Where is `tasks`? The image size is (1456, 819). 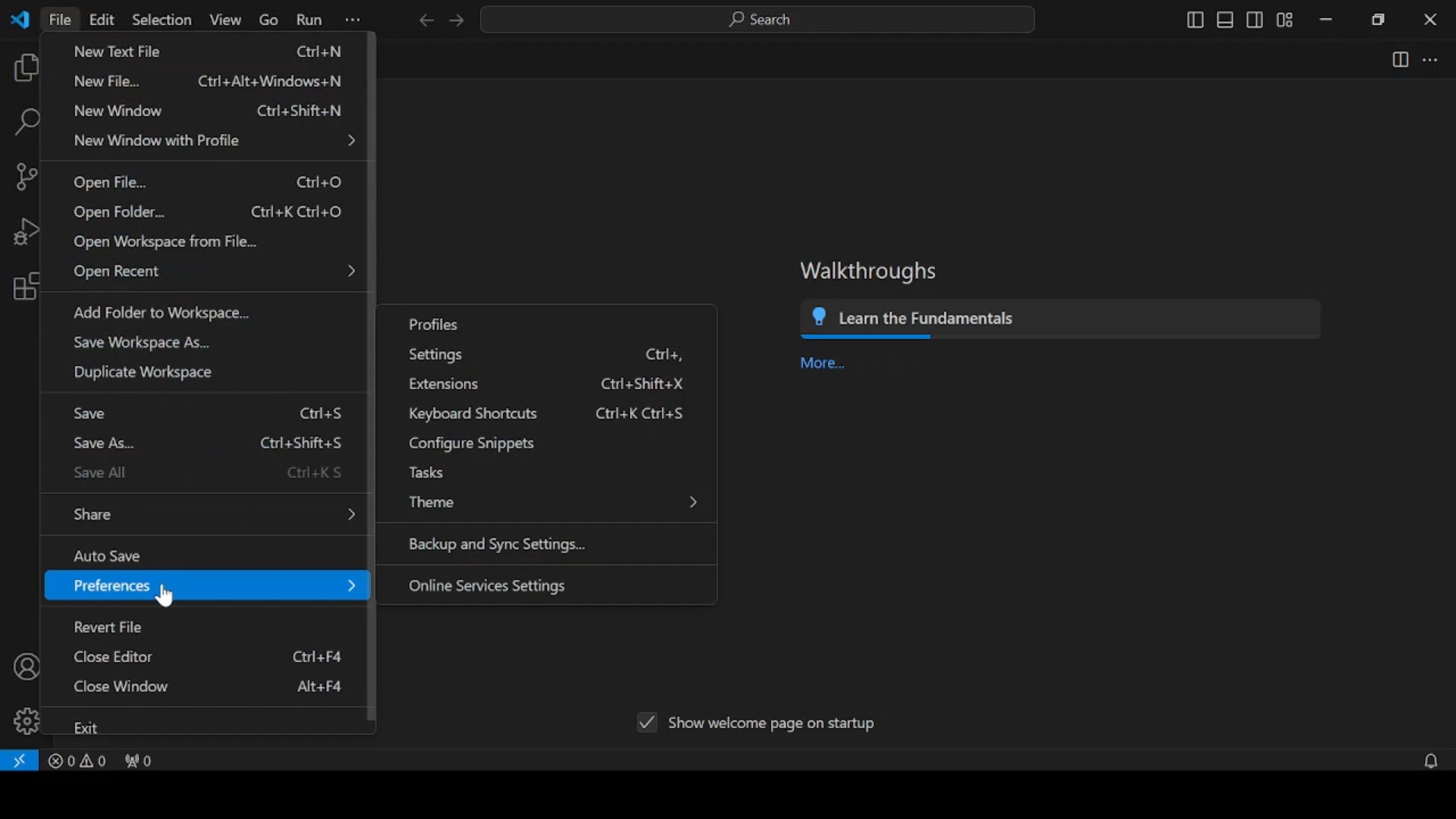 tasks is located at coordinates (427, 471).